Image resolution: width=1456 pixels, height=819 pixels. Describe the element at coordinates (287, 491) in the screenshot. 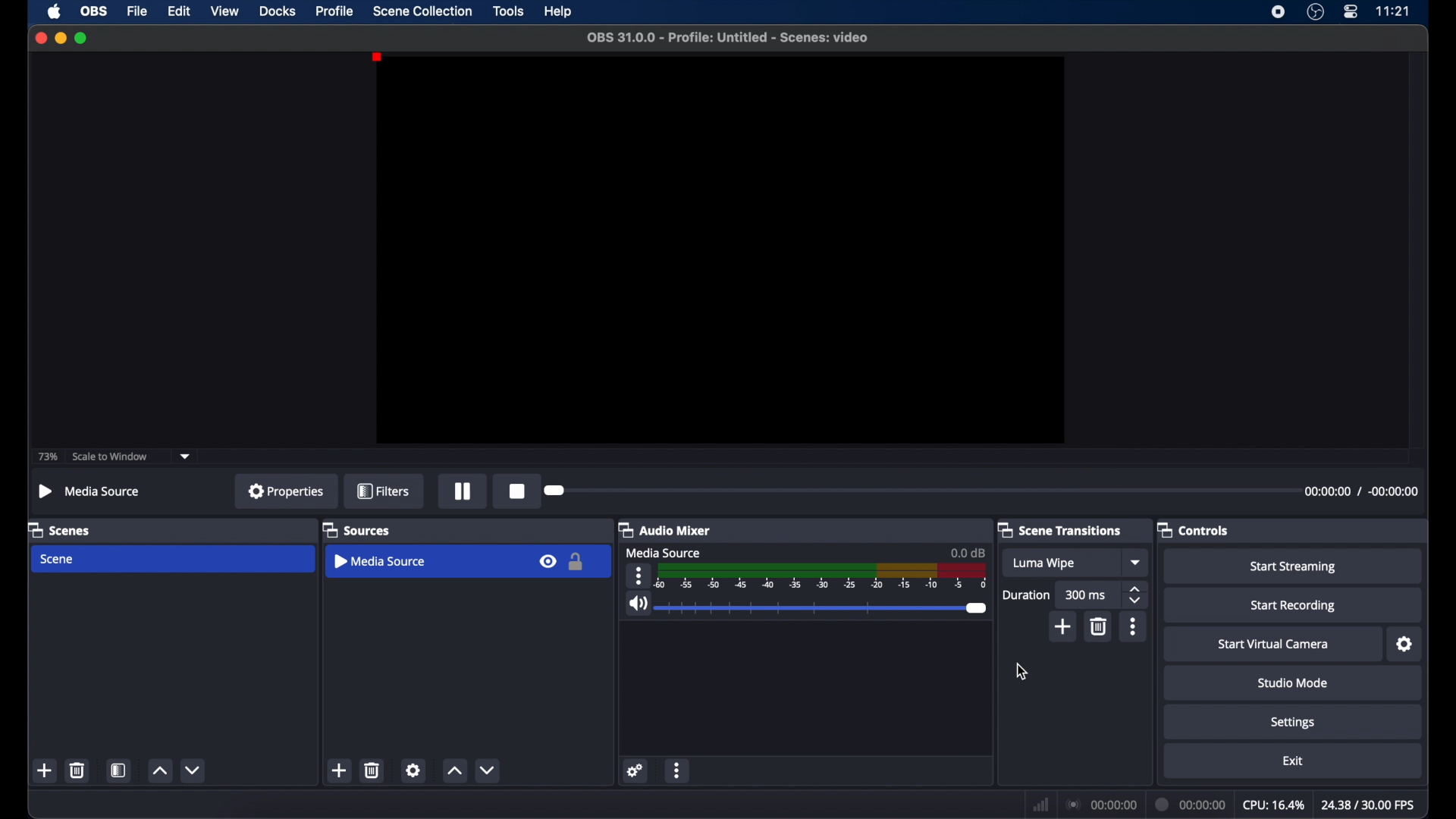

I see `properties` at that location.